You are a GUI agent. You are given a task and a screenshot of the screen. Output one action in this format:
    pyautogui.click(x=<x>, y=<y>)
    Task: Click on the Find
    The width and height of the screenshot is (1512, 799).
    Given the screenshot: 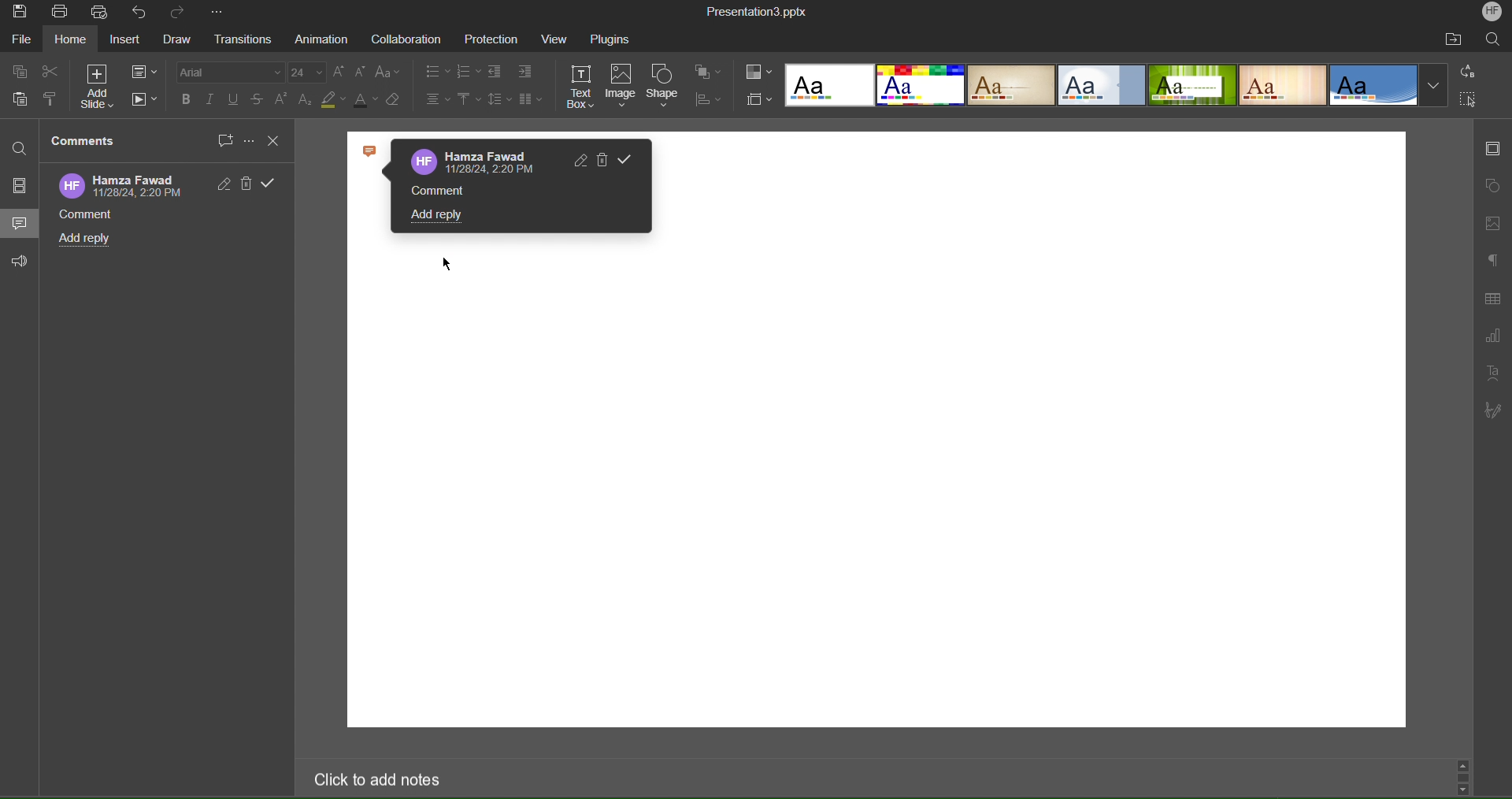 What is the action you would take?
    pyautogui.click(x=20, y=150)
    